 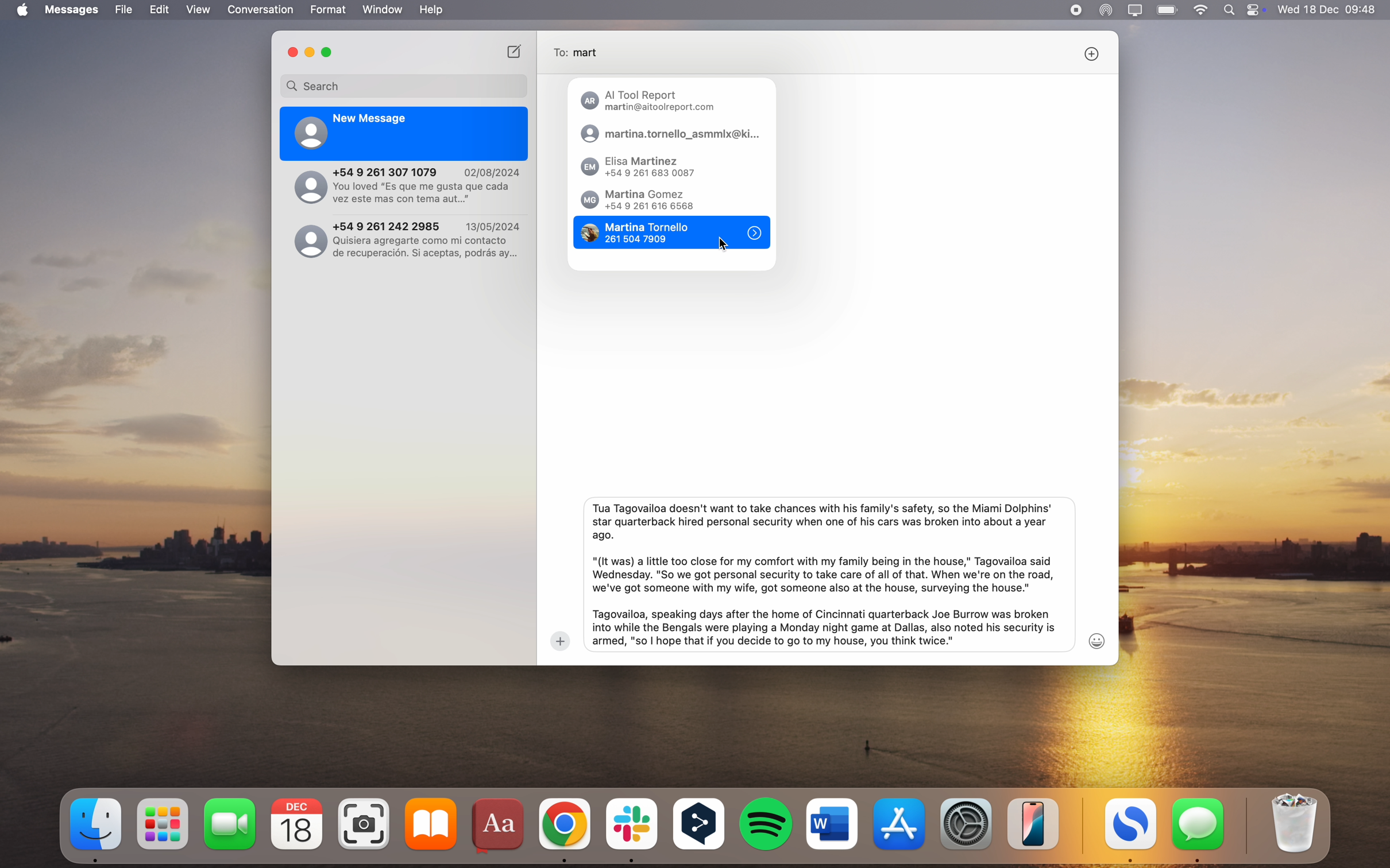 I want to click on Spotify, so click(x=767, y=824).